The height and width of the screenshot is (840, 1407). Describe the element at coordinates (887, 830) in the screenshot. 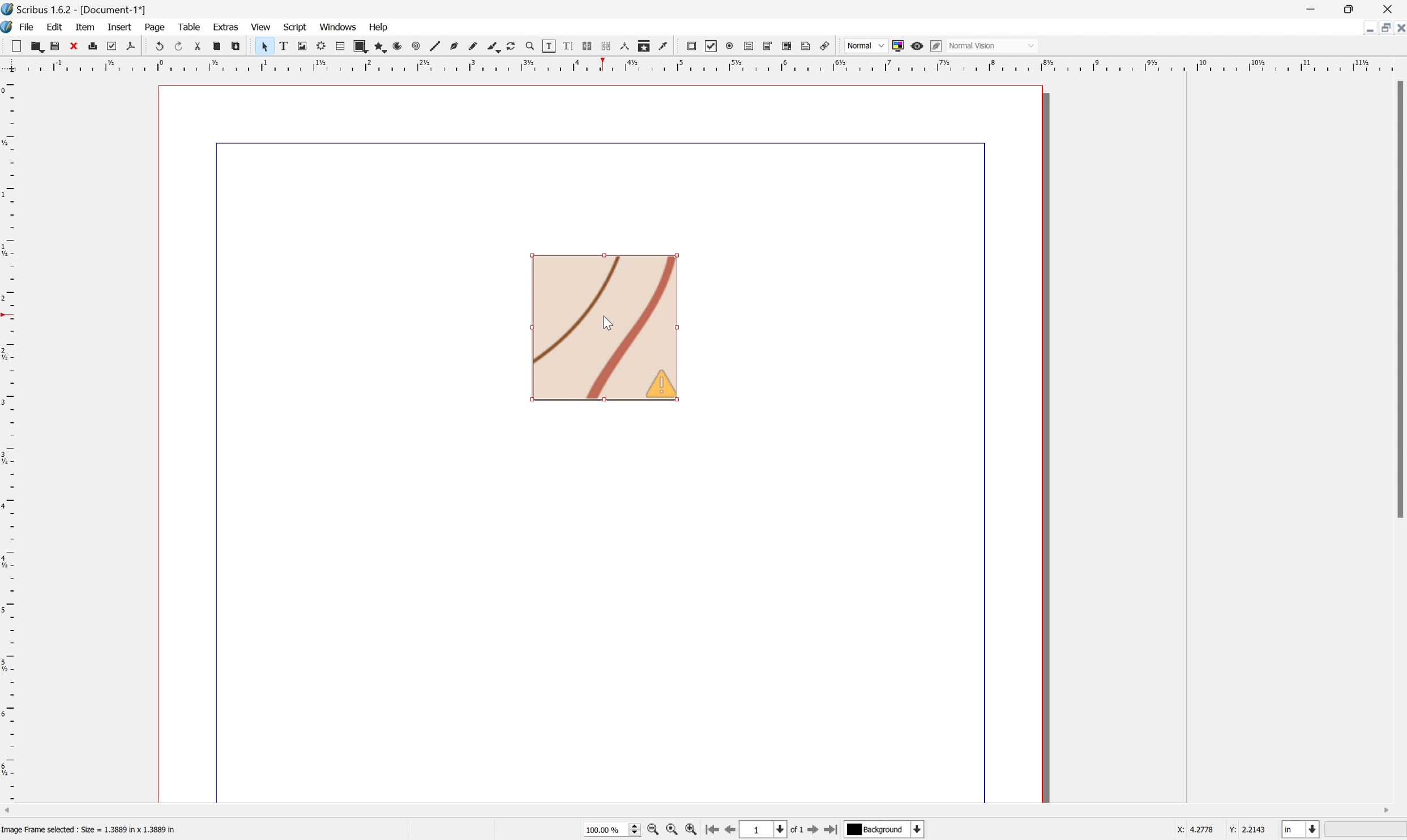

I see `select current layer` at that location.